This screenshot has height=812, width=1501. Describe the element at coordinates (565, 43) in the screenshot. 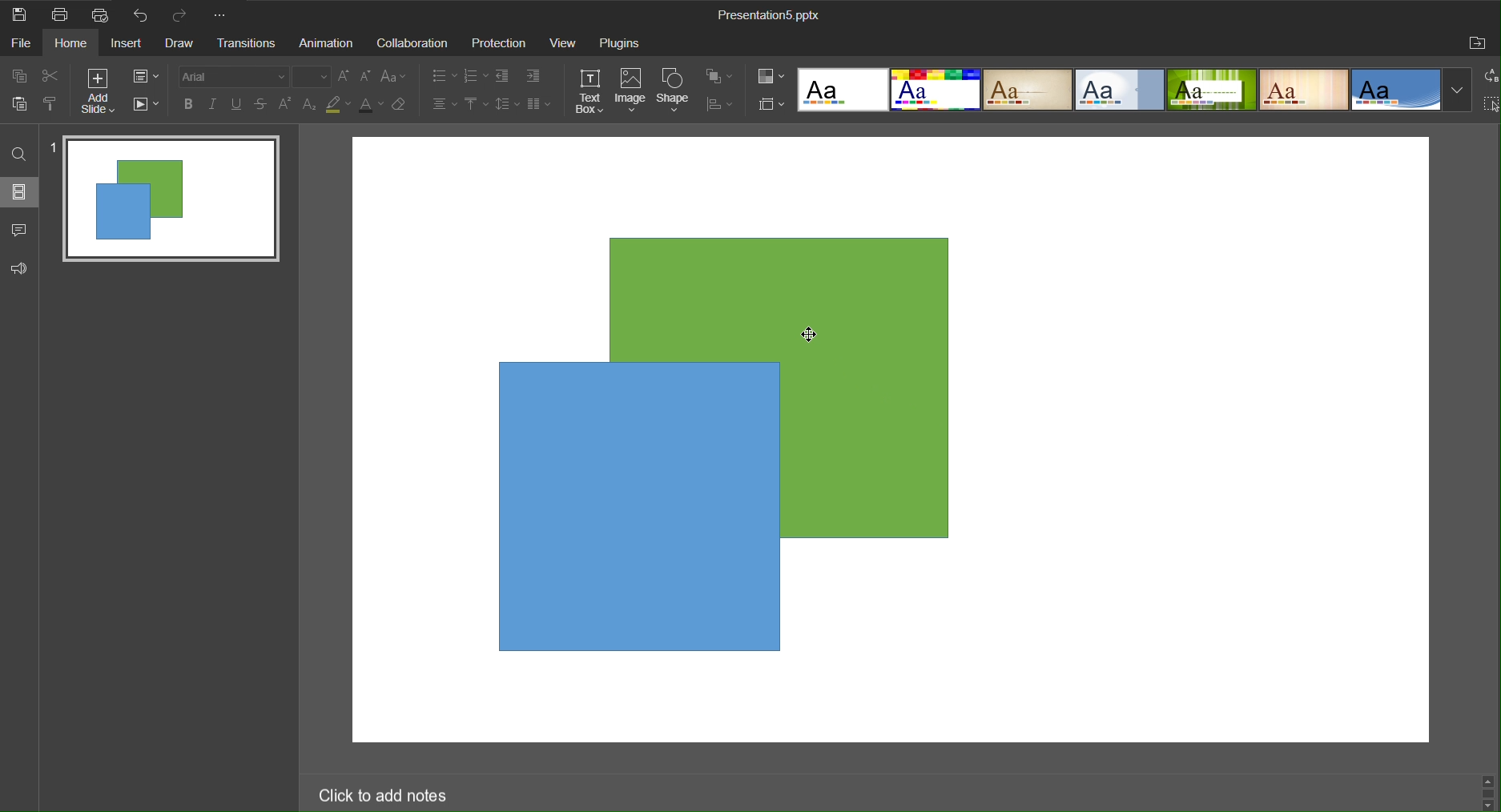

I see `View` at that location.